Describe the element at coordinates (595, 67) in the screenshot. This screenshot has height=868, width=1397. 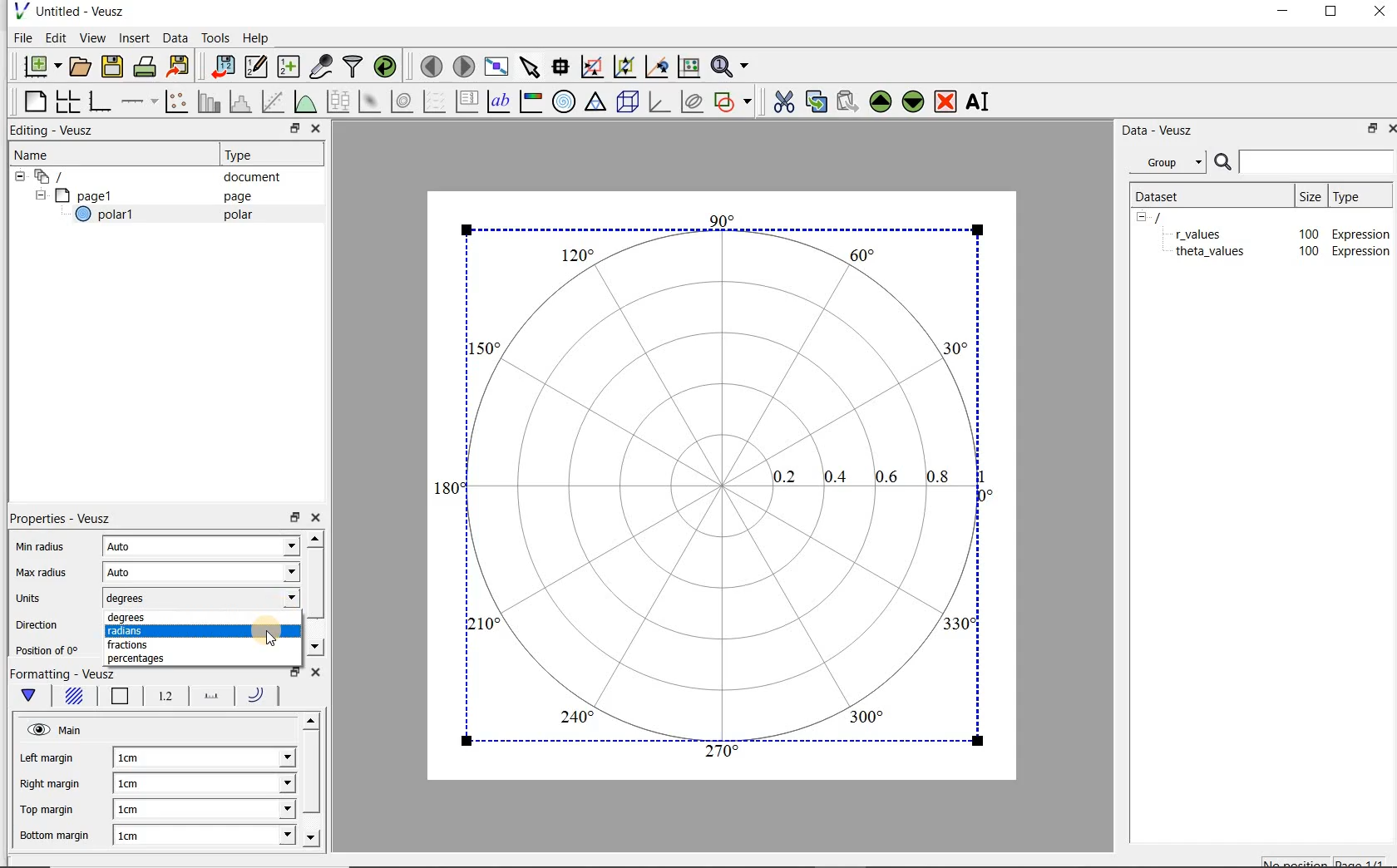
I see `click or draw a rectangle to zoom graph axes` at that location.